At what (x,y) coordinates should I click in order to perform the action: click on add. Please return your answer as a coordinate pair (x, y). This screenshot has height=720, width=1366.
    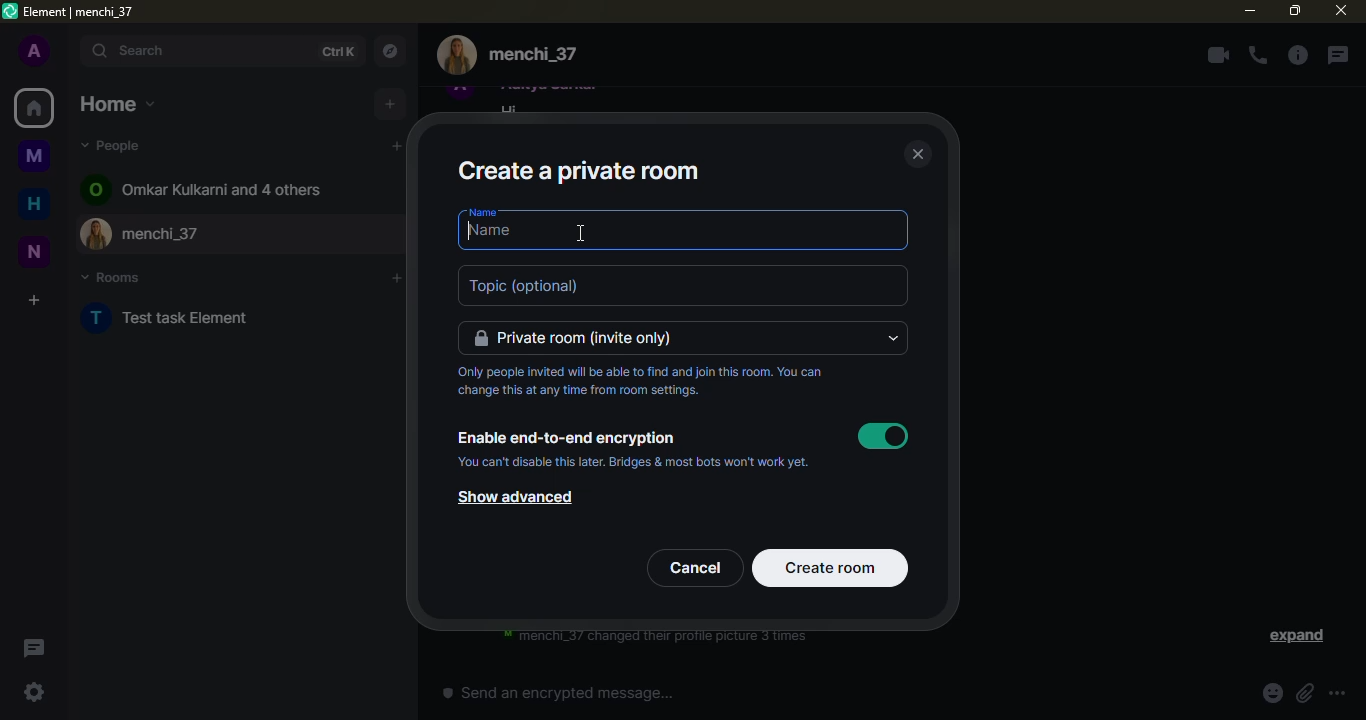
    Looking at the image, I should click on (397, 146).